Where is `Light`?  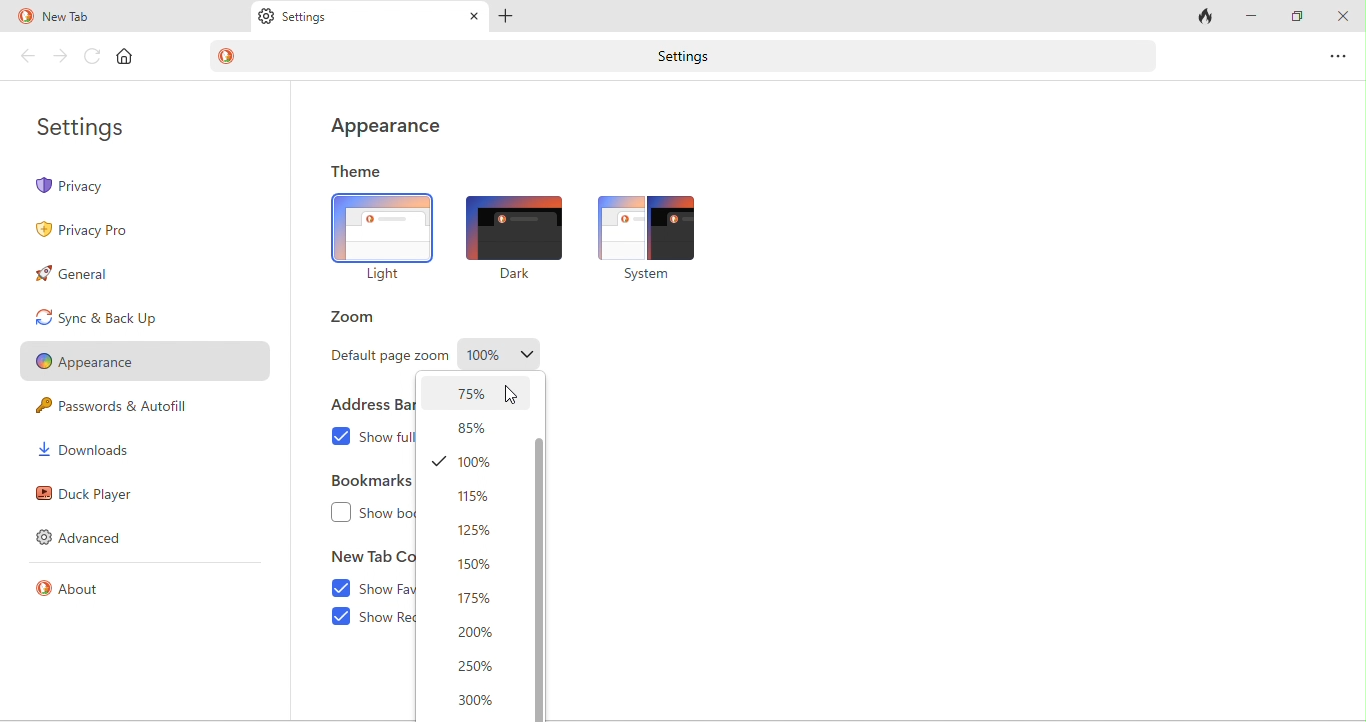 Light is located at coordinates (381, 275).